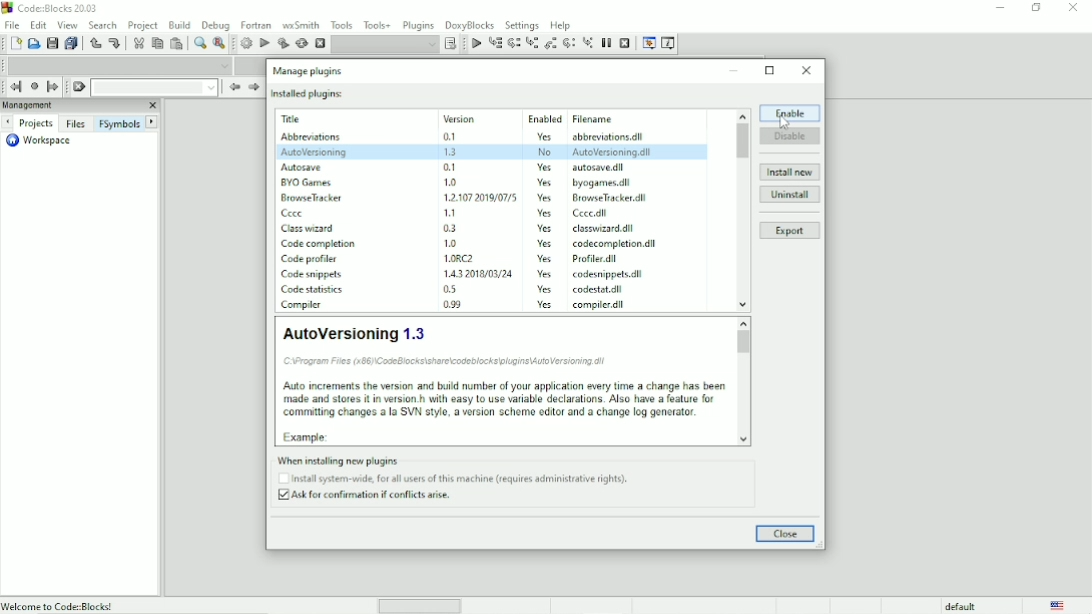  What do you see at coordinates (549, 44) in the screenshot?
I see `Step out` at bounding box center [549, 44].